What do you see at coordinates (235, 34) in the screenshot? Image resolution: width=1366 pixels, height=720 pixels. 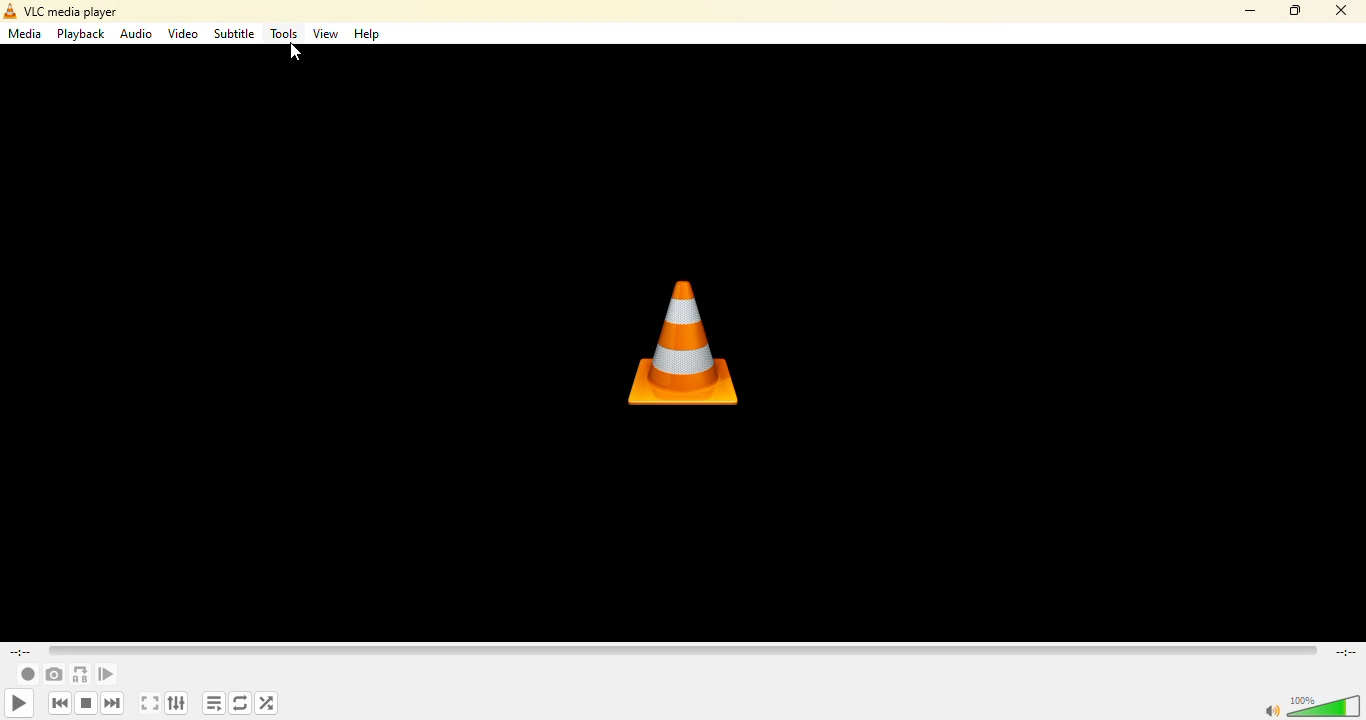 I see `subtitle` at bounding box center [235, 34].